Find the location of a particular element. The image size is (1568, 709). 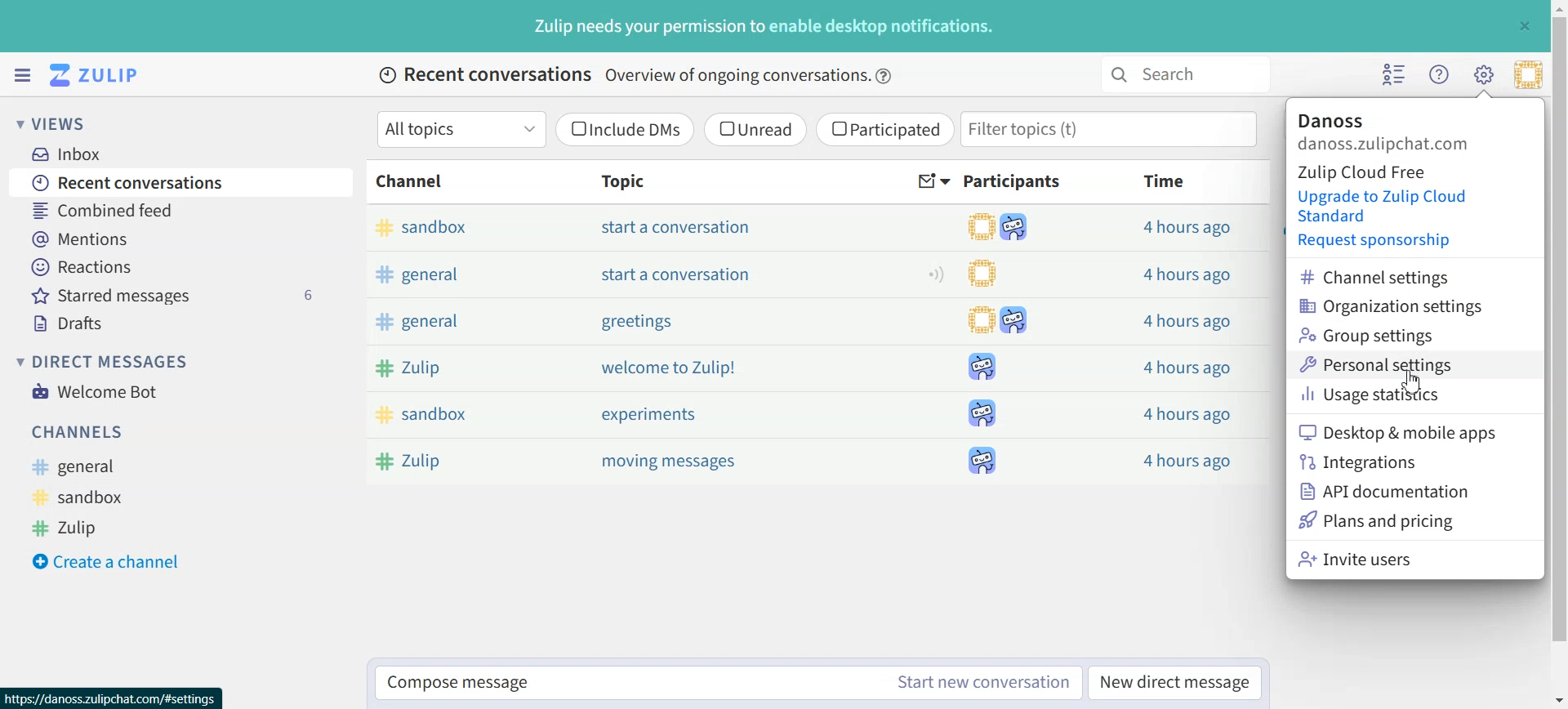

filter topics(t) is located at coordinates (1111, 129).